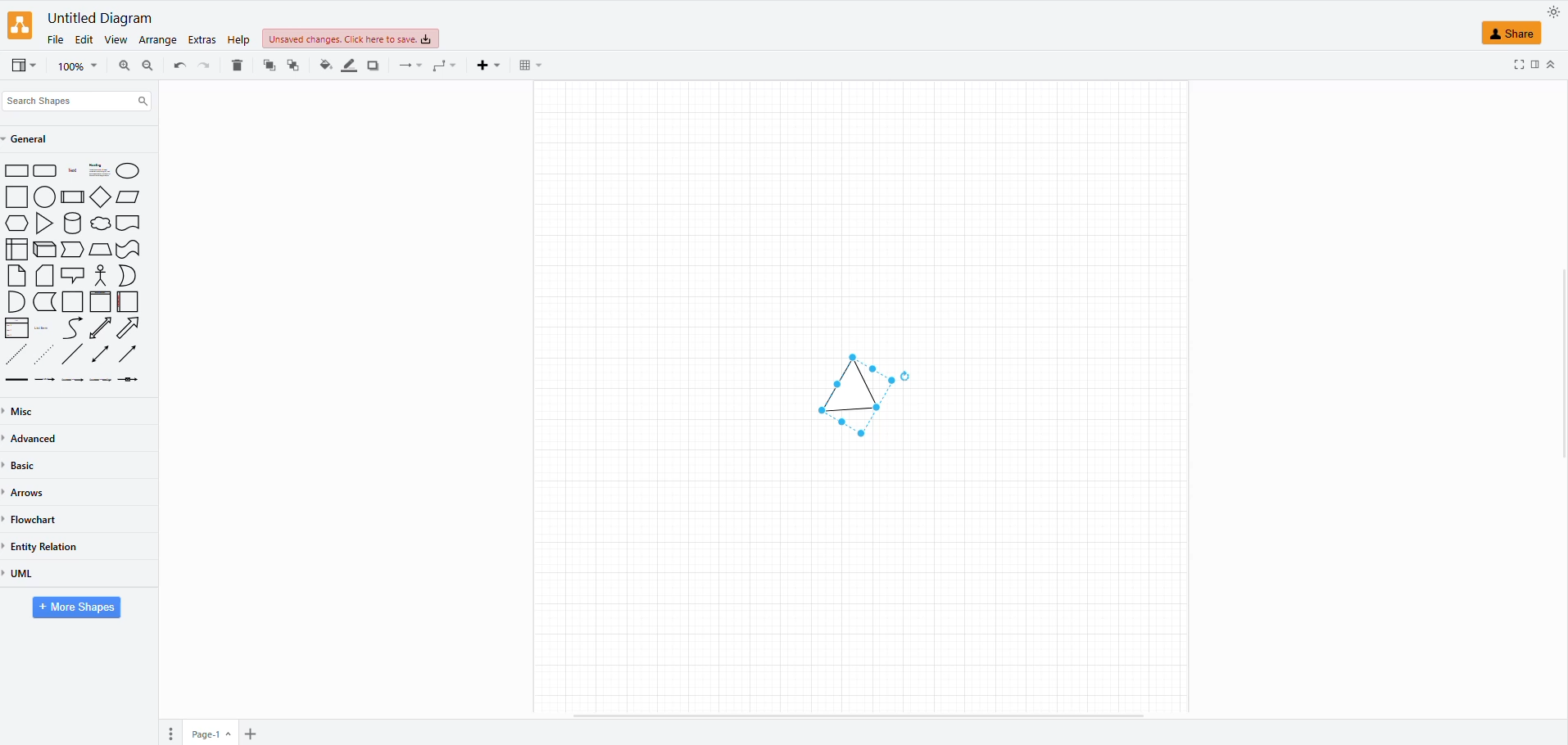 Image resolution: width=1568 pixels, height=745 pixels. I want to click on unsaved changes, so click(347, 40).